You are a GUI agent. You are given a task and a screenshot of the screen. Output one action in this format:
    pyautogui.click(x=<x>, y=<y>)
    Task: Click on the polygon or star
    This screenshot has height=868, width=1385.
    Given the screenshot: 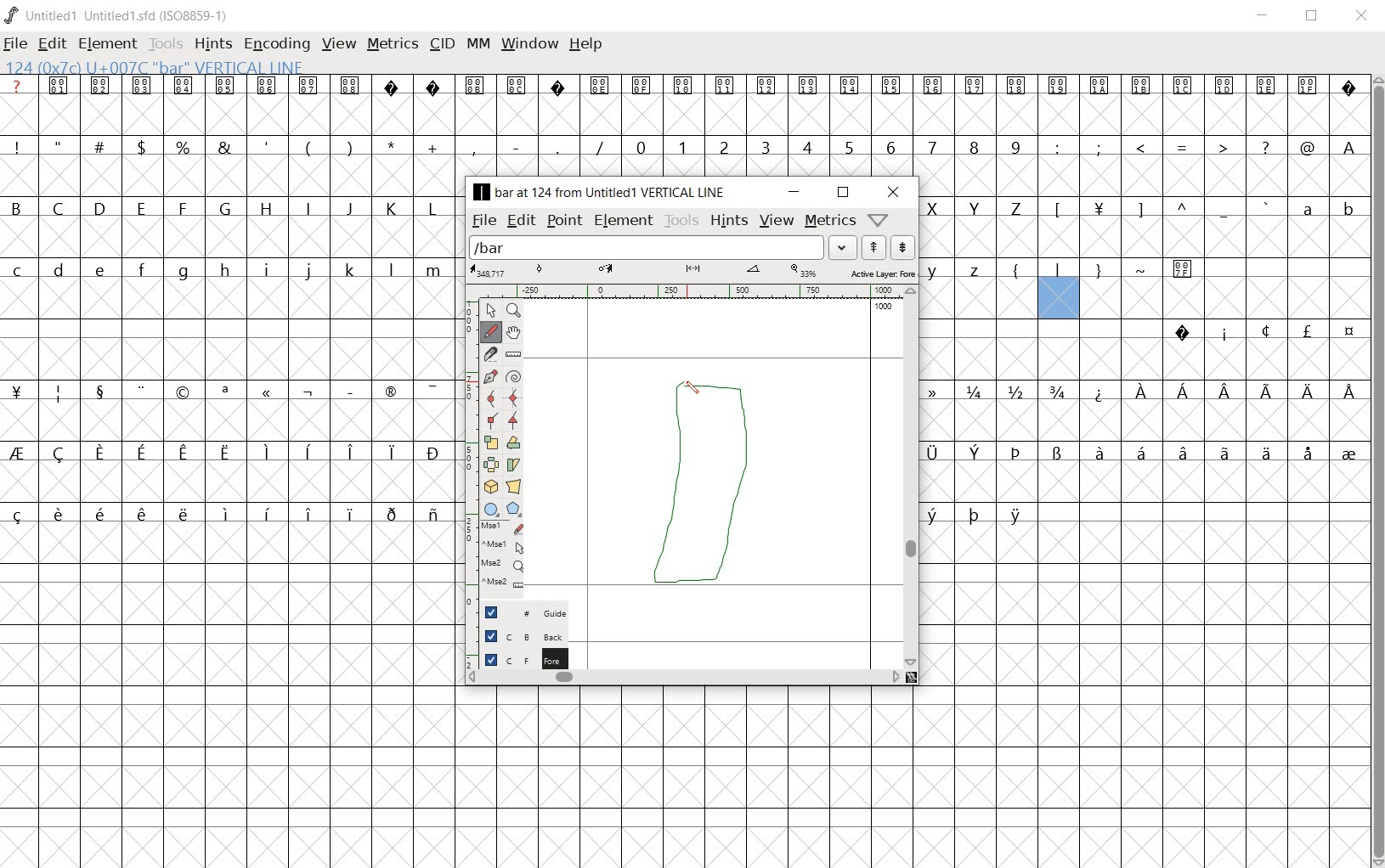 What is the action you would take?
    pyautogui.click(x=516, y=509)
    